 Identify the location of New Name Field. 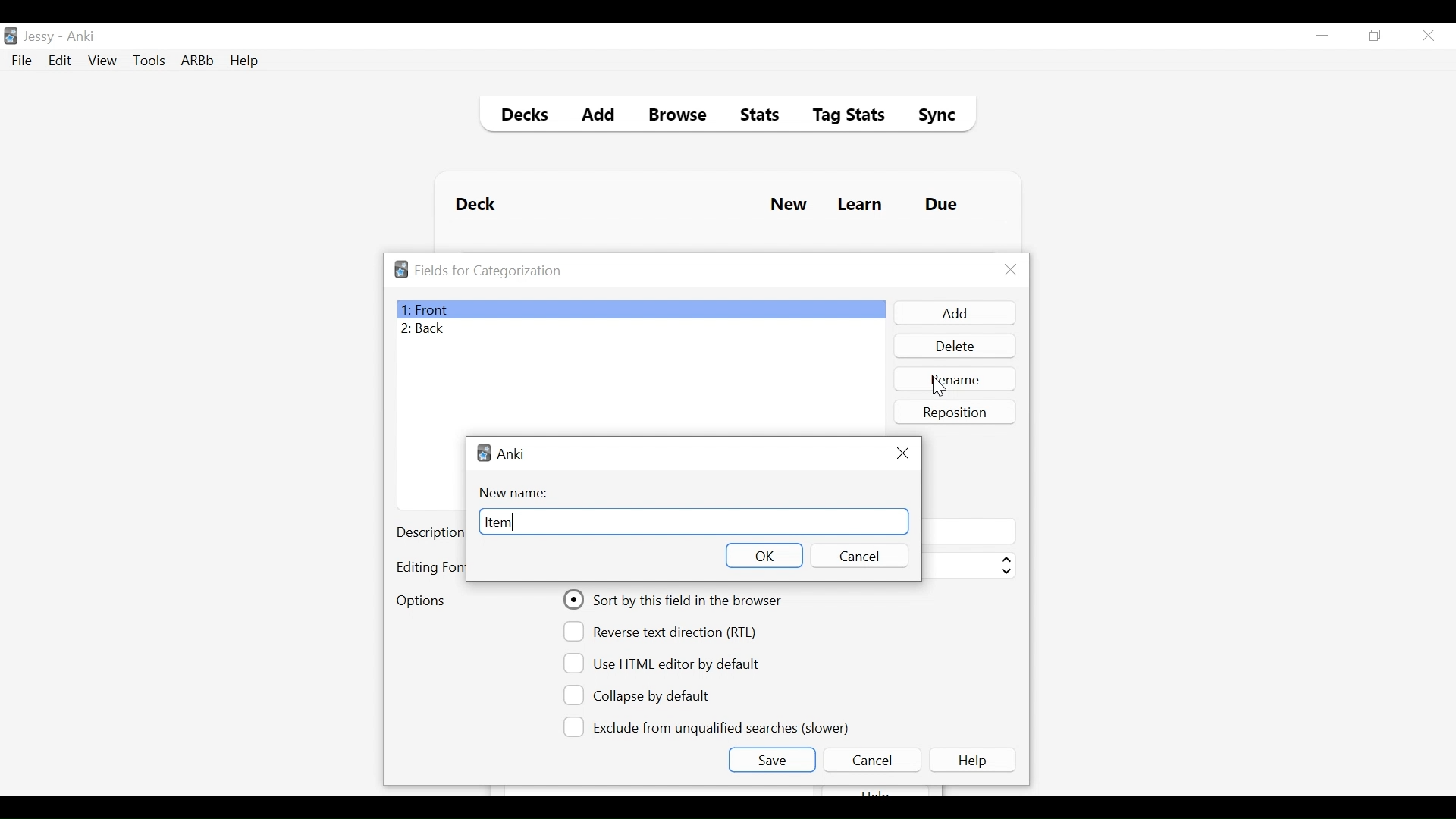
(692, 522).